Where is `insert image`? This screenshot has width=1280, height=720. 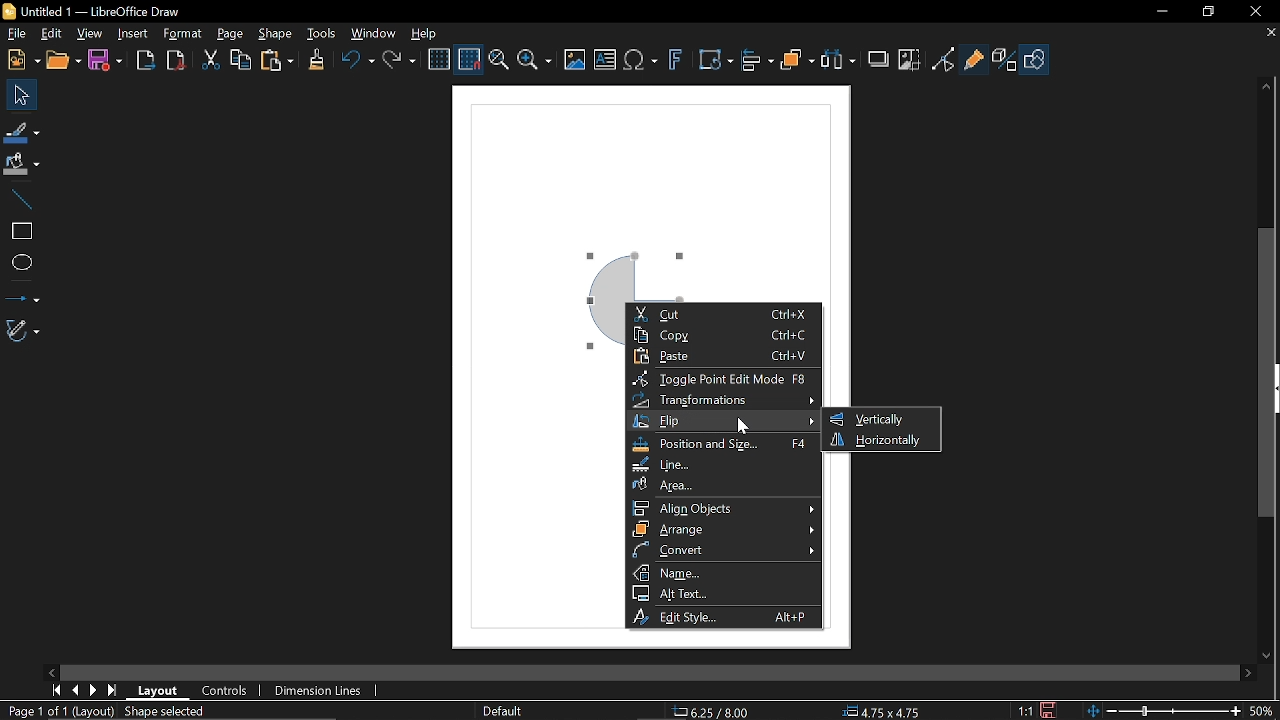 insert image is located at coordinates (578, 59).